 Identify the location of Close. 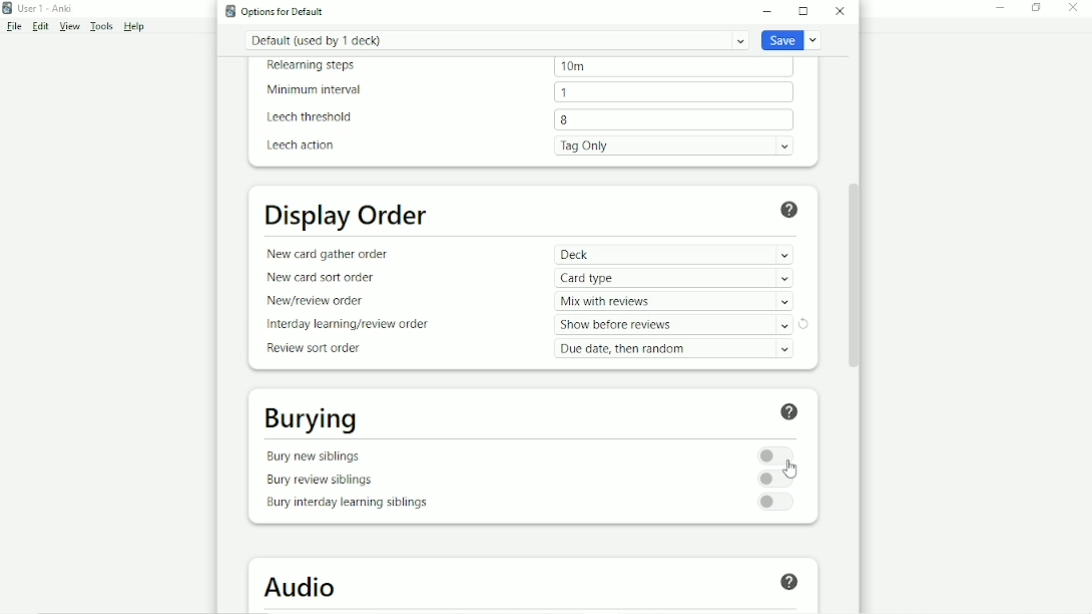
(841, 11).